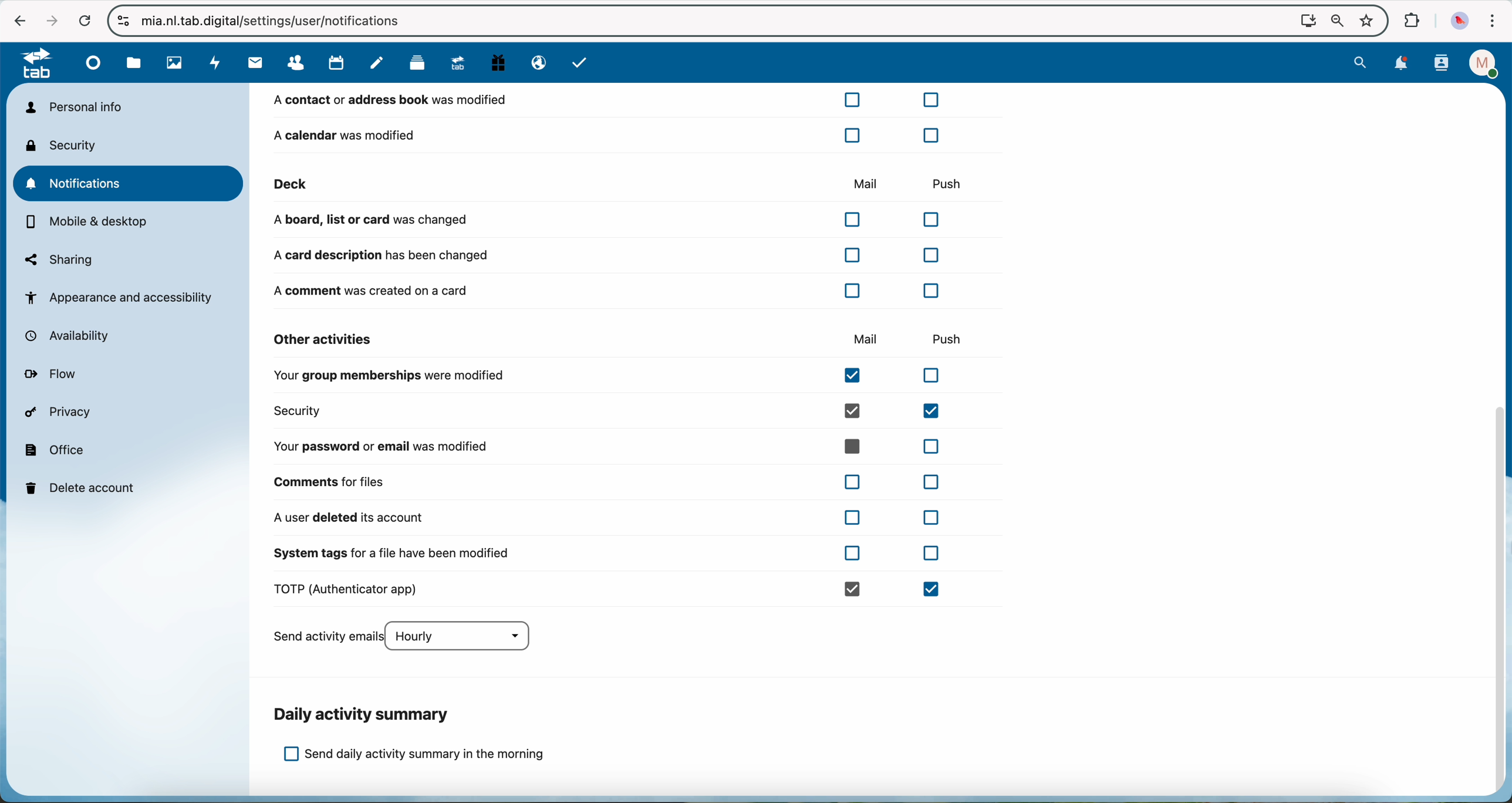  Describe the element at coordinates (56, 449) in the screenshot. I see `office` at that location.